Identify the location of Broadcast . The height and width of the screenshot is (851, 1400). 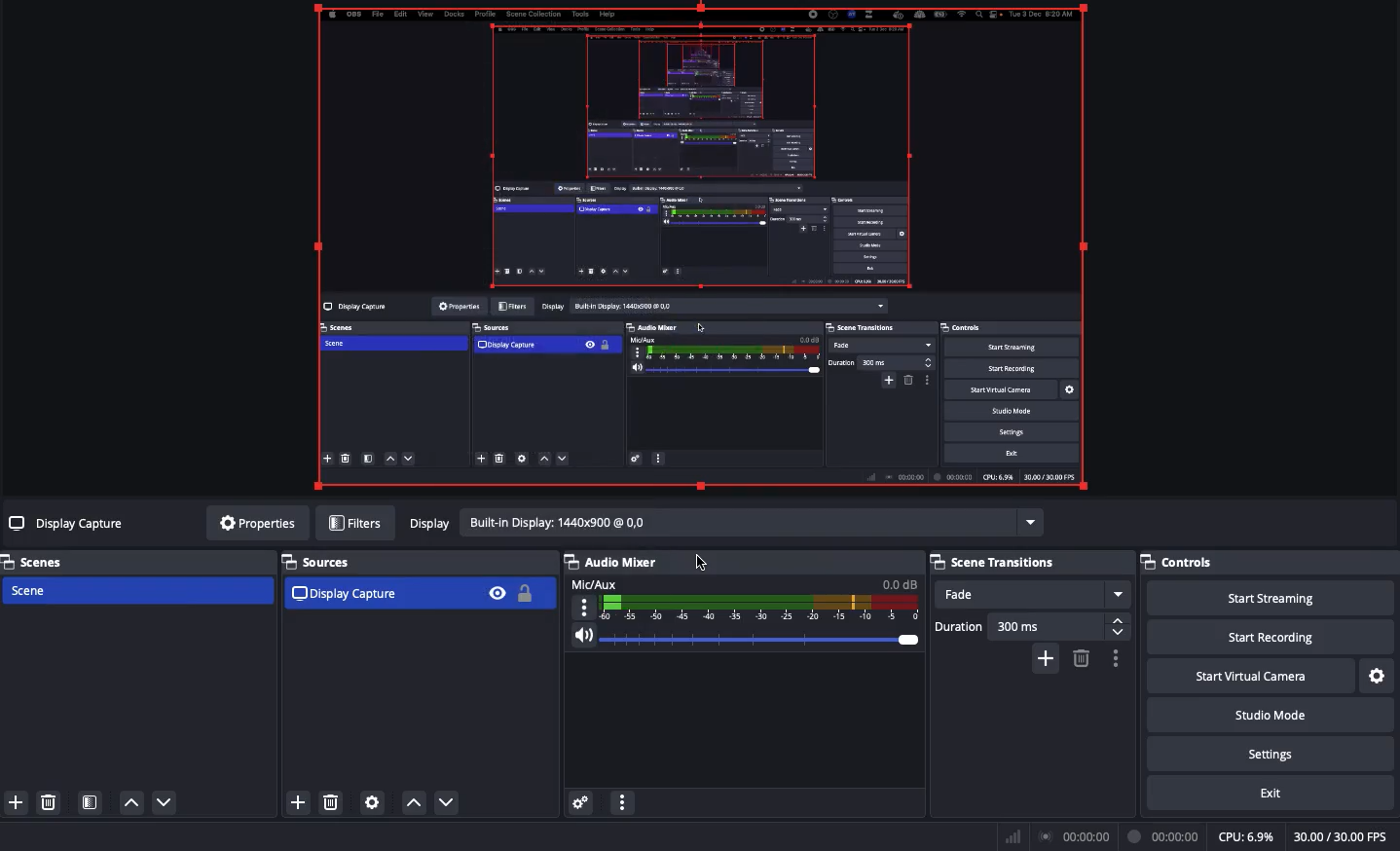
(1075, 836).